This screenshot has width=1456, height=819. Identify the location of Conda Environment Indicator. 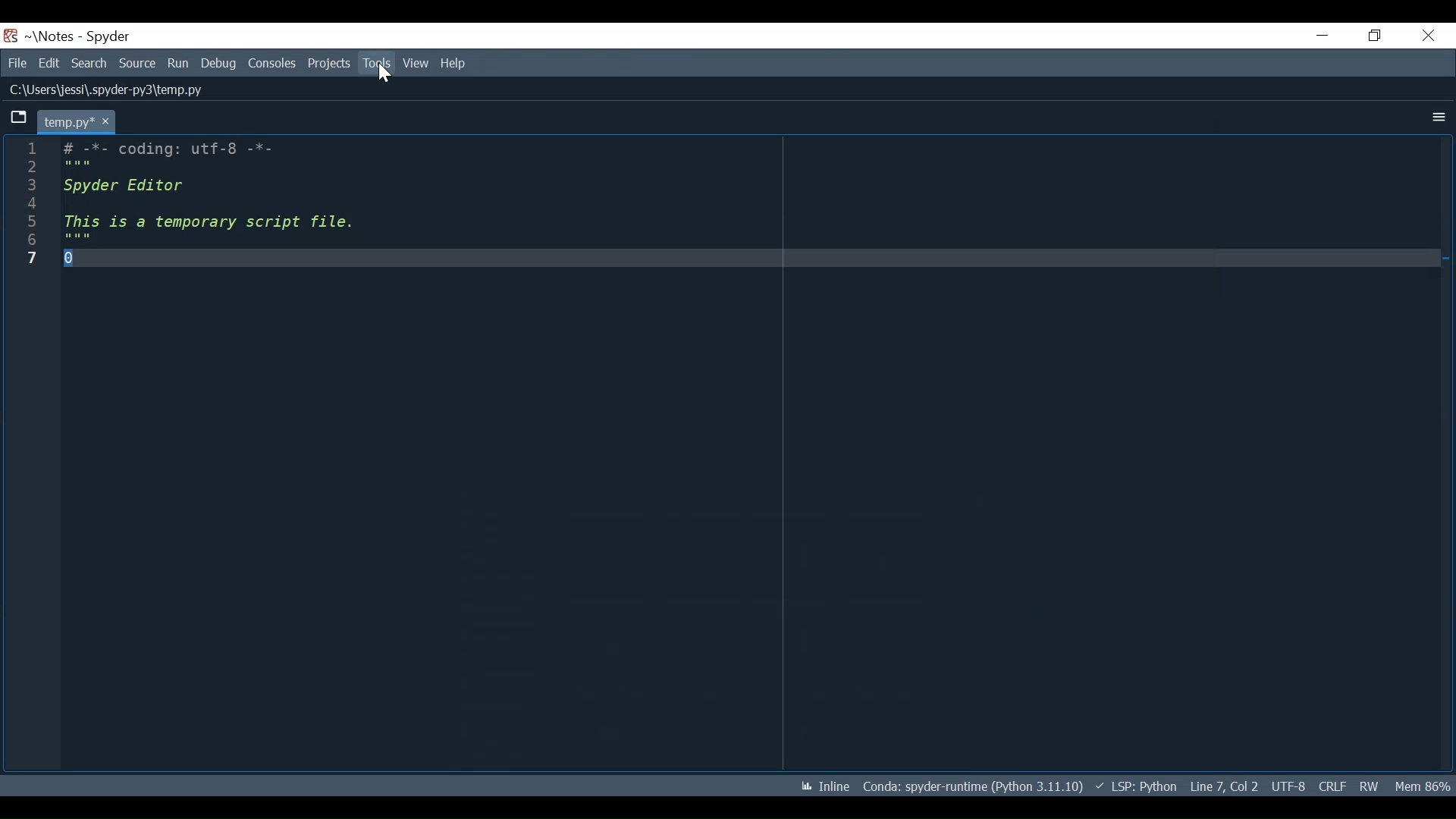
(972, 786).